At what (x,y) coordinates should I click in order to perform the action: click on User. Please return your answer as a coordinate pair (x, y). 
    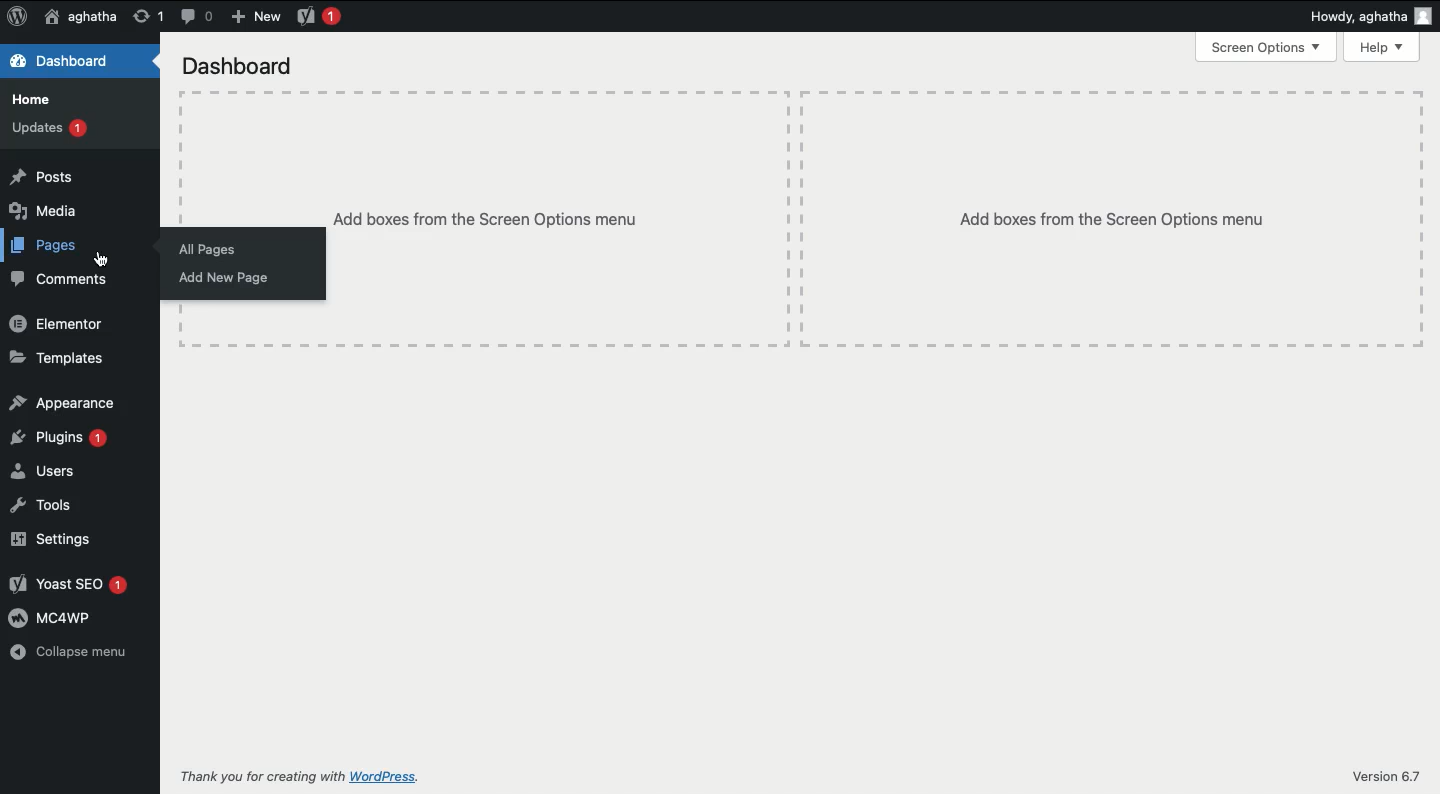
    Looking at the image, I should click on (78, 18).